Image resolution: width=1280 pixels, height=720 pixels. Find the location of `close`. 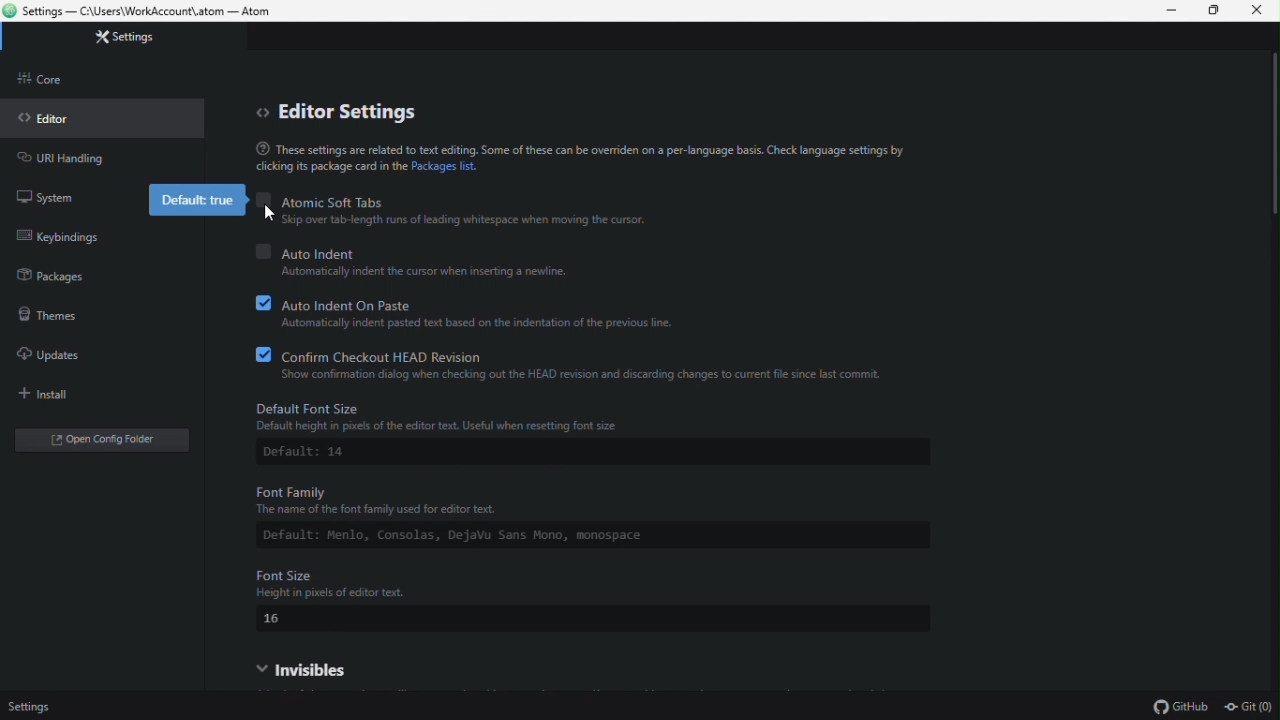

close is located at coordinates (1258, 13).